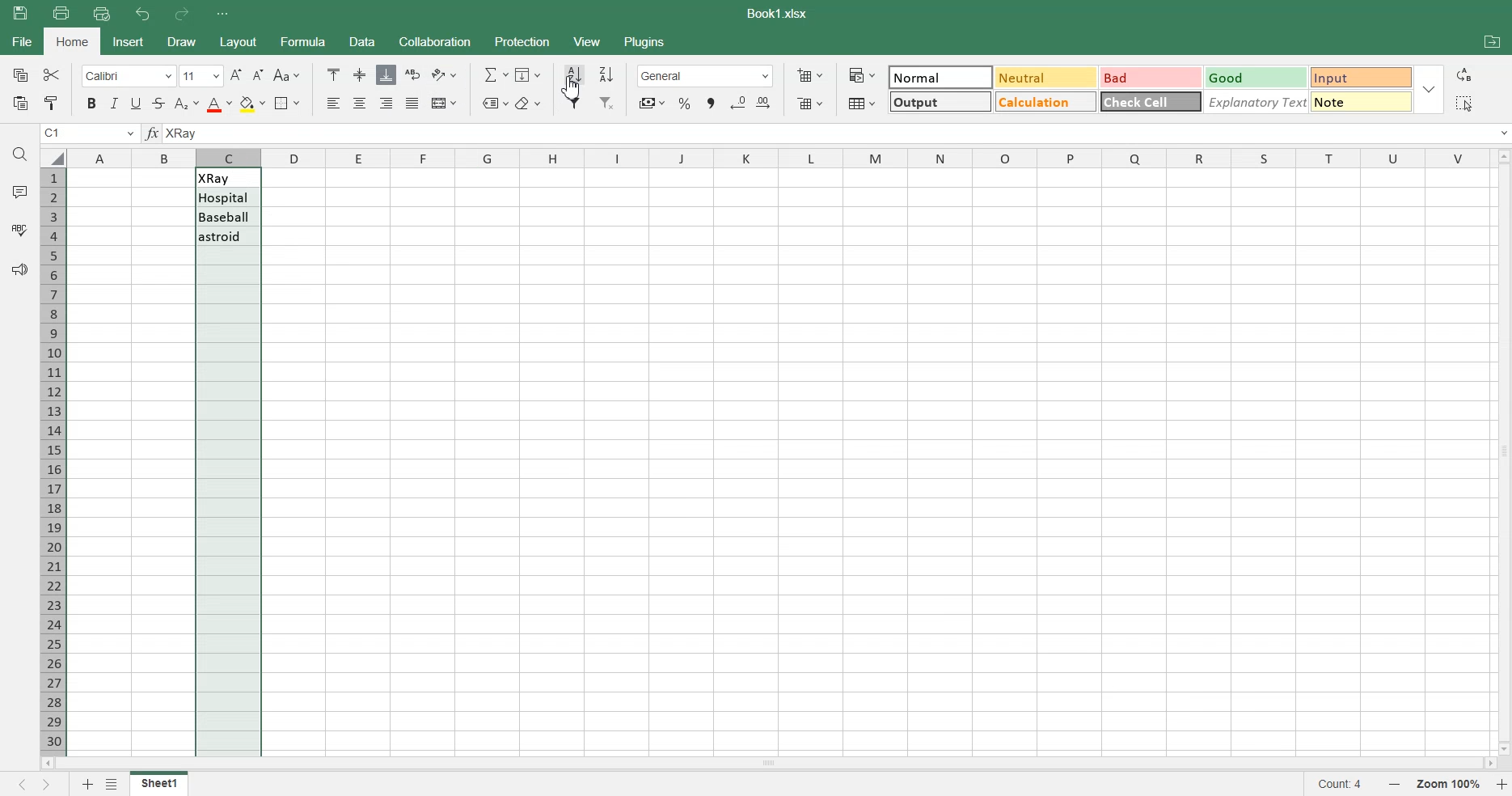 The image size is (1512, 796). What do you see at coordinates (386, 74) in the screenshot?
I see `Align Bottom` at bounding box center [386, 74].